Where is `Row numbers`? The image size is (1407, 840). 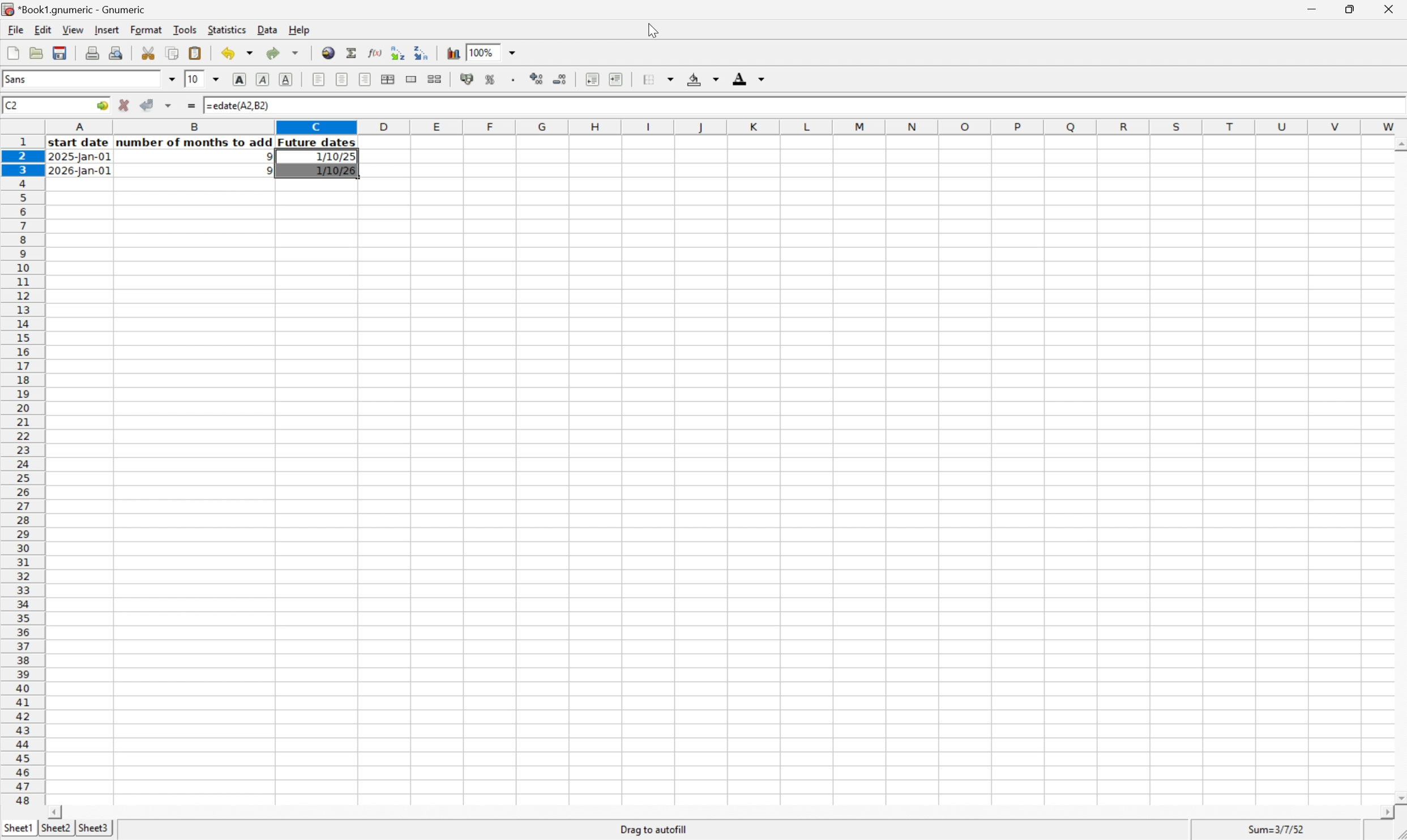
Row numbers is located at coordinates (22, 471).